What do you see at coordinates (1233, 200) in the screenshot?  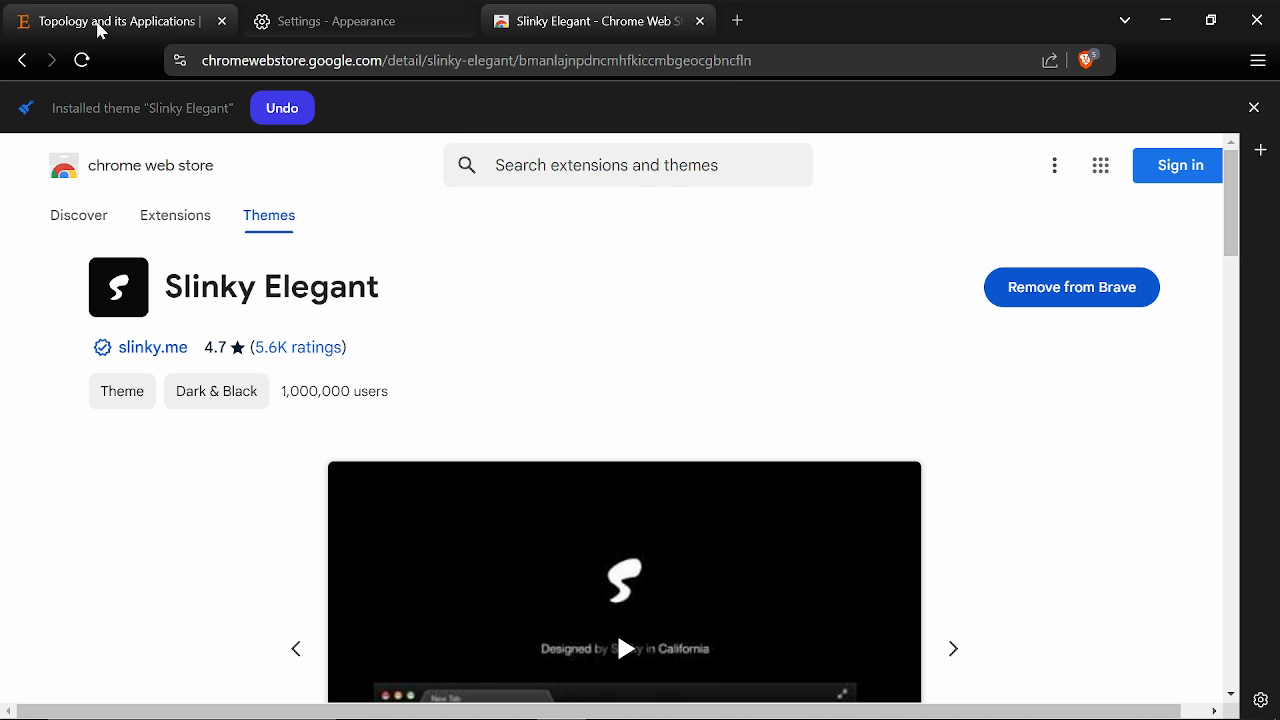 I see `Vertical scrollbar` at bounding box center [1233, 200].